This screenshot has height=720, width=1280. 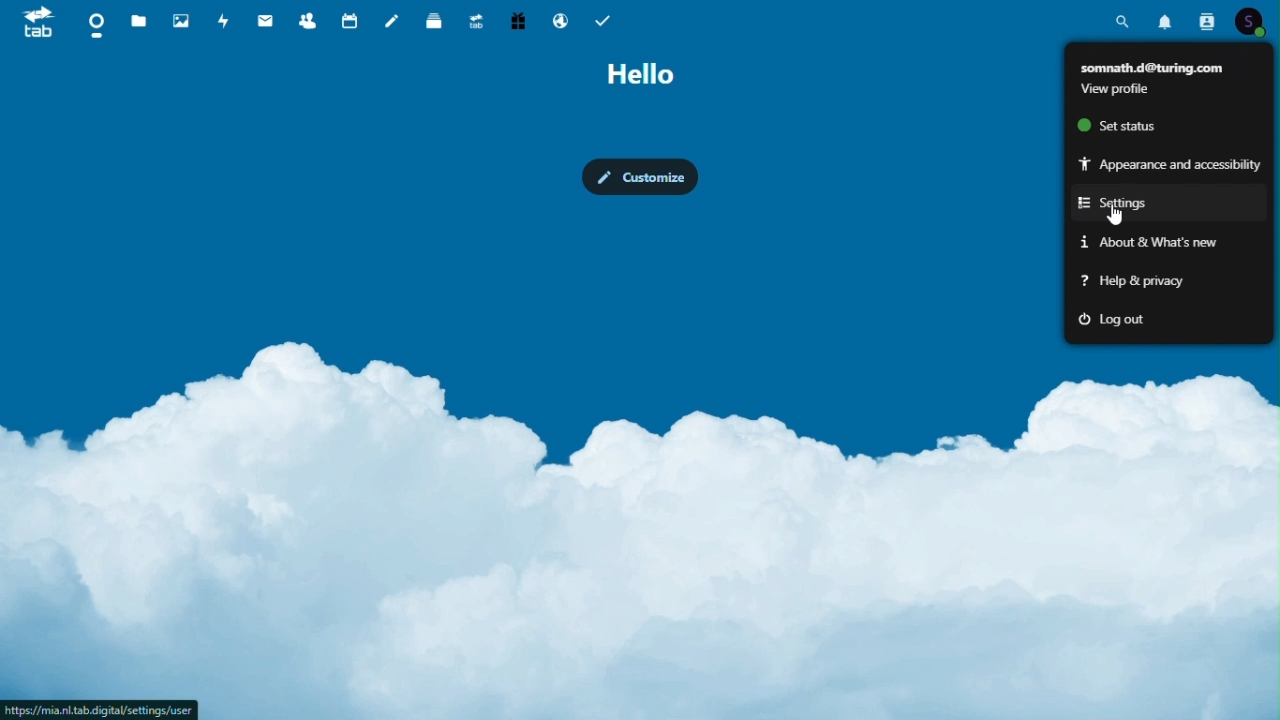 What do you see at coordinates (1112, 123) in the screenshot?
I see `Status` at bounding box center [1112, 123].